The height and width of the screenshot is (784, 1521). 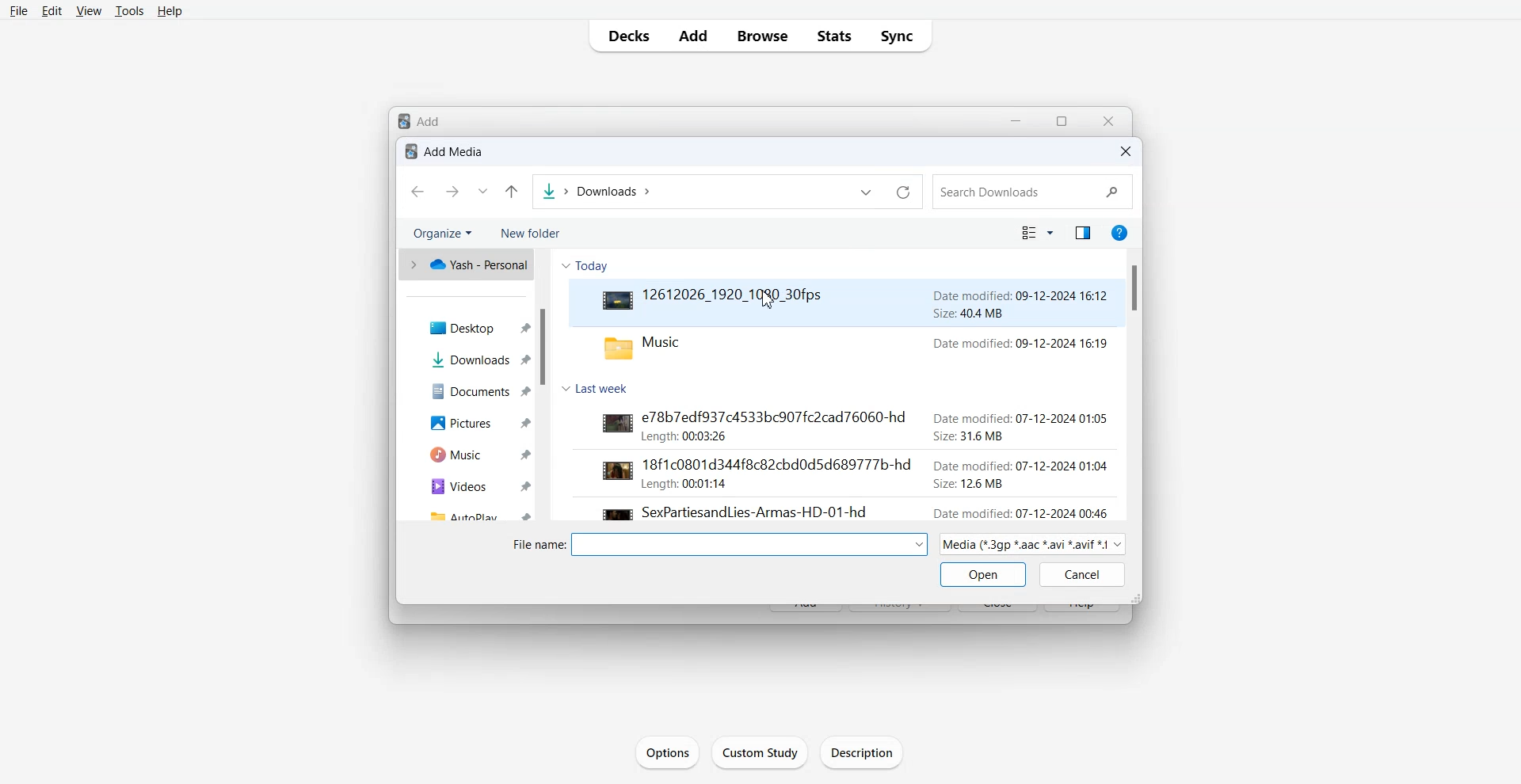 What do you see at coordinates (417, 192) in the screenshot?
I see `Go Back` at bounding box center [417, 192].